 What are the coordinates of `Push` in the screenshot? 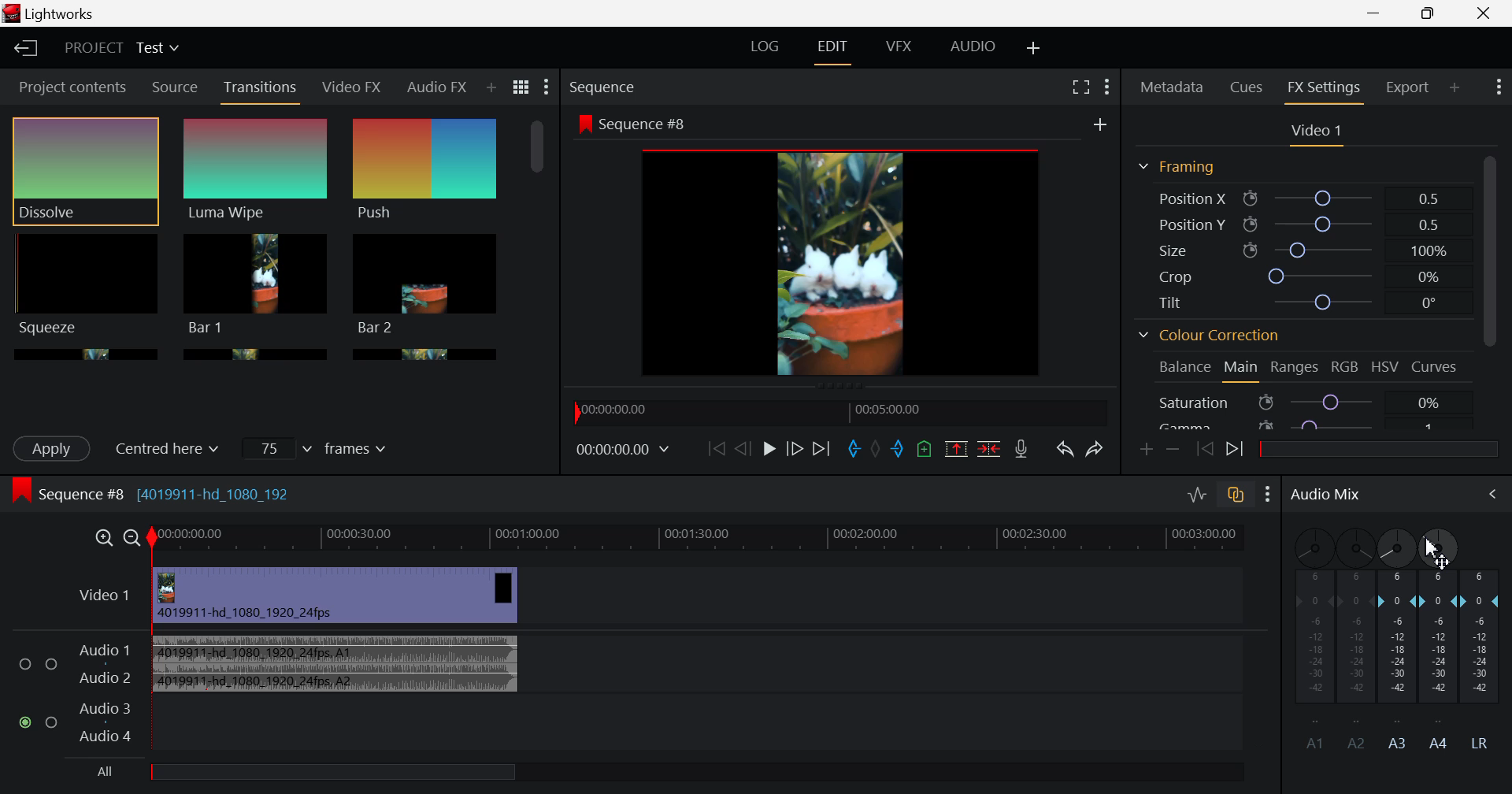 It's located at (426, 171).